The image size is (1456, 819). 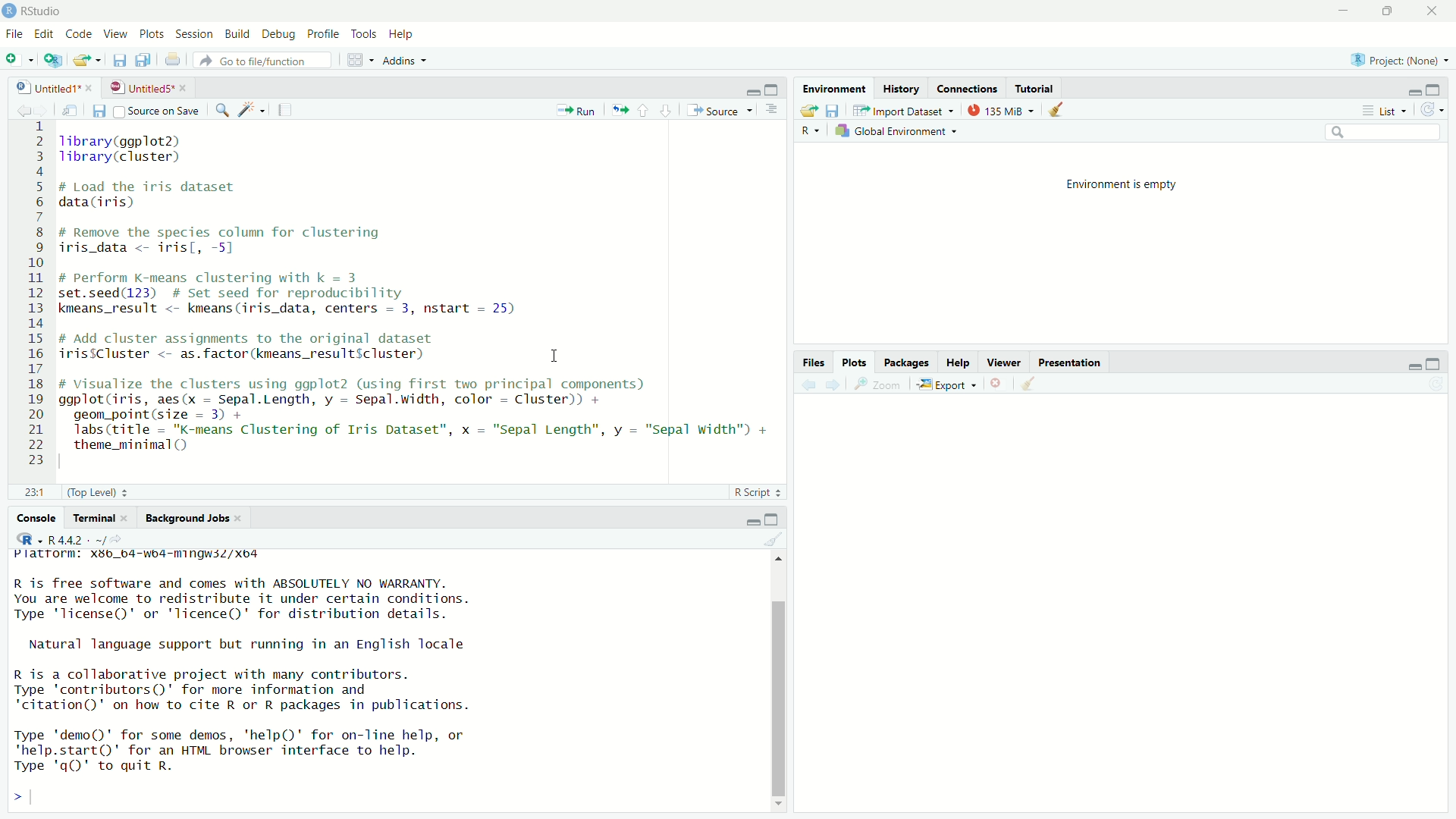 I want to click on # Add cluster assignments to the original dataset  irisiCluster <- as.factor(kmeans_resultScluster), so click(x=268, y=348).